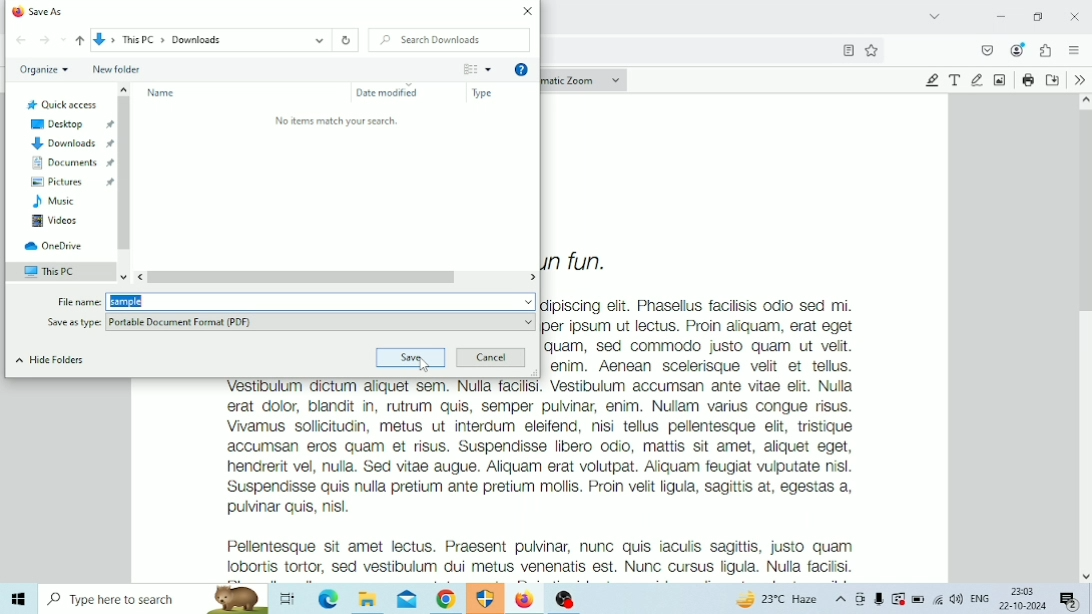  What do you see at coordinates (123, 175) in the screenshot?
I see `Vertical scrollbar` at bounding box center [123, 175].